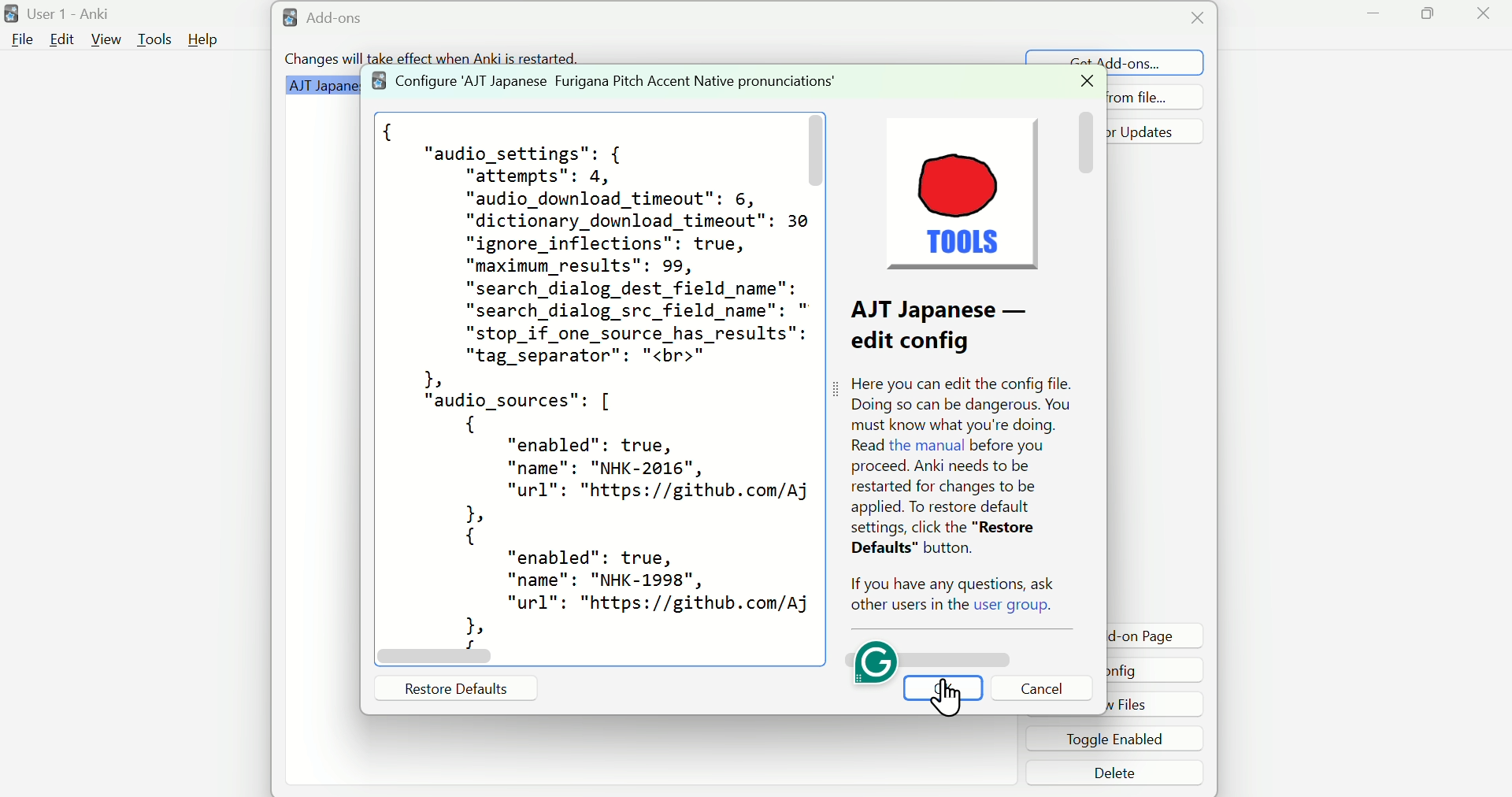 The height and width of the screenshot is (797, 1512). I want to click on Maximize, so click(1434, 19).